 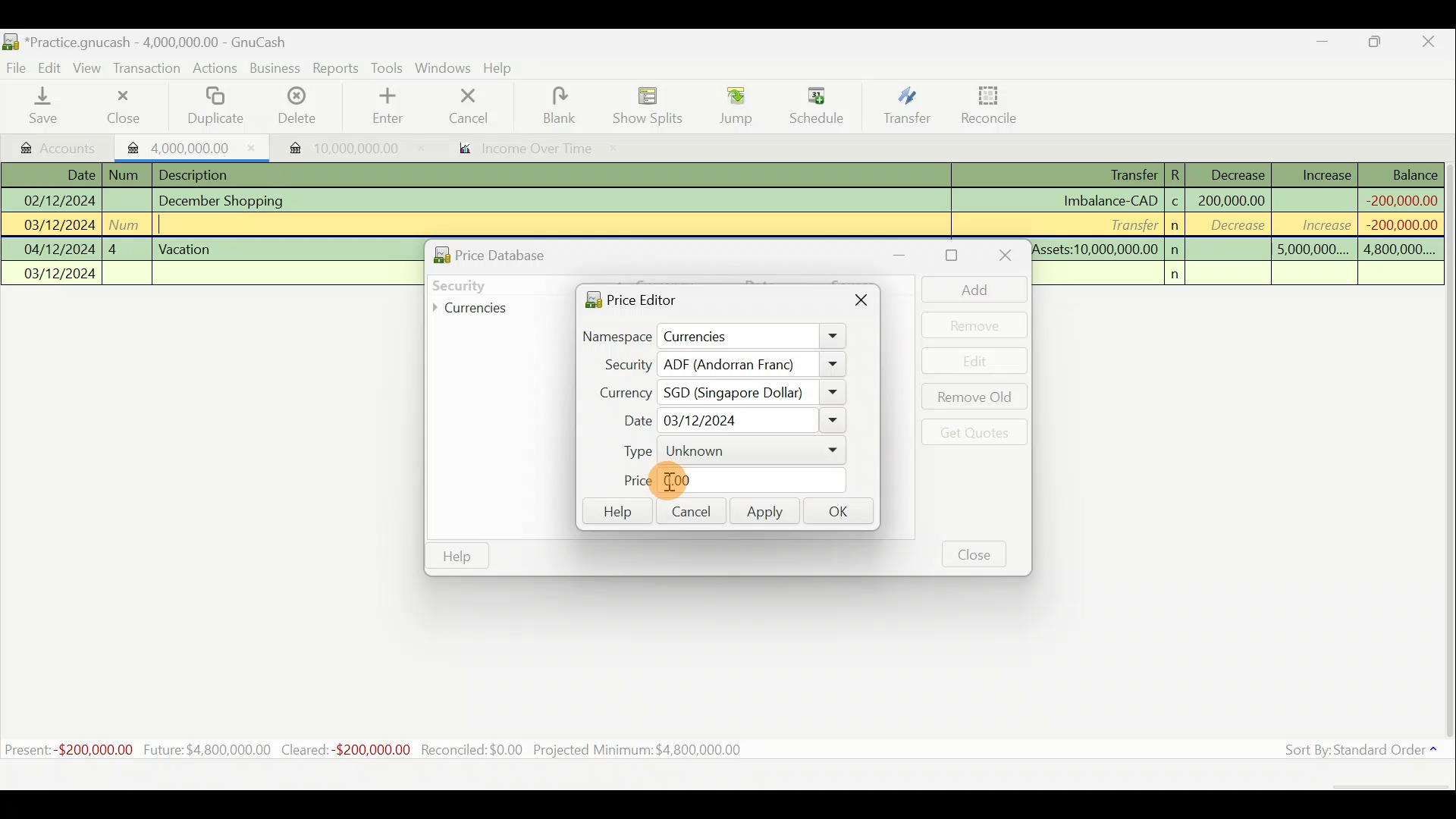 What do you see at coordinates (1384, 44) in the screenshot?
I see `Maximise` at bounding box center [1384, 44].